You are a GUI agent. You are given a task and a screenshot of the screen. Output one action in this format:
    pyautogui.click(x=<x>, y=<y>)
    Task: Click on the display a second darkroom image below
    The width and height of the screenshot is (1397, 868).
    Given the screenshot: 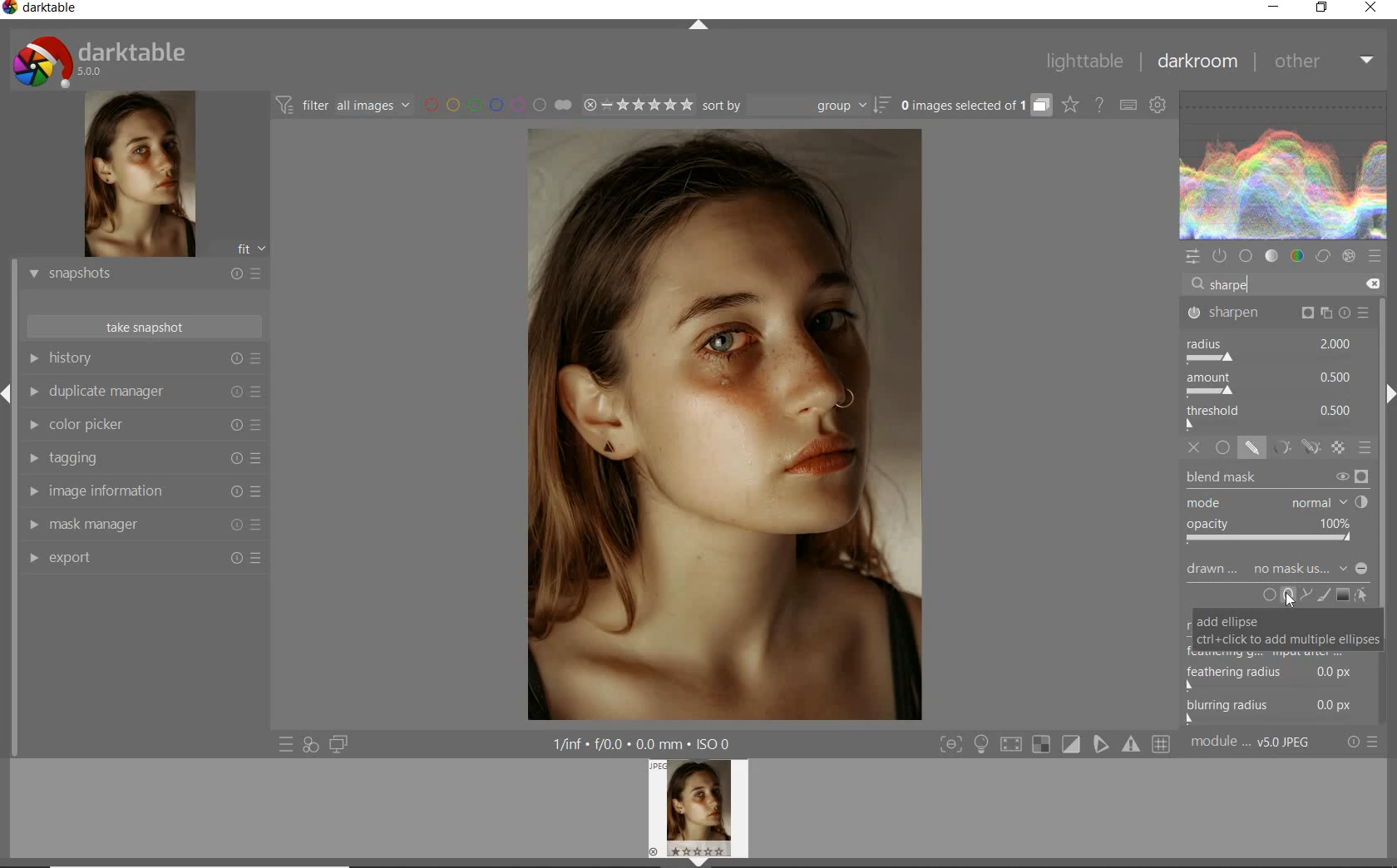 What is the action you would take?
    pyautogui.click(x=336, y=745)
    